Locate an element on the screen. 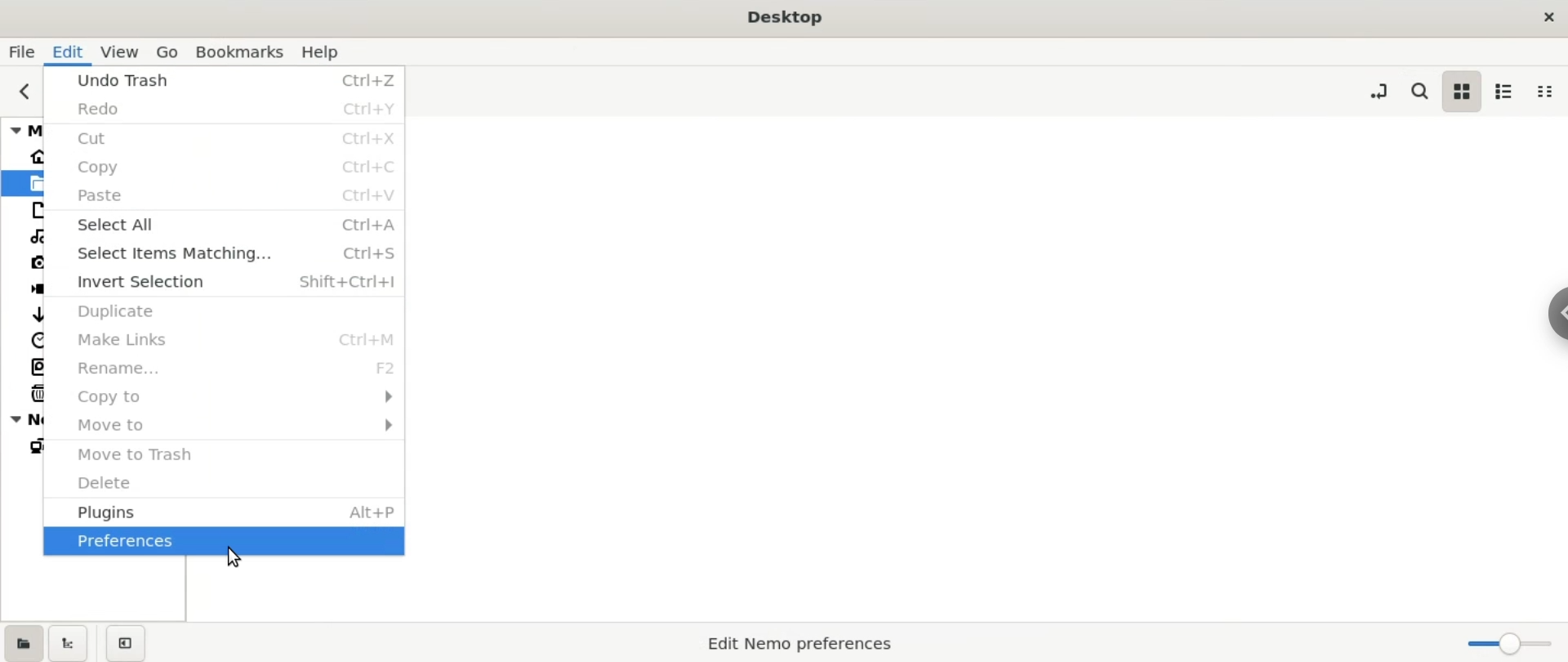 This screenshot has height=662, width=1568. cut is located at coordinates (217, 139).